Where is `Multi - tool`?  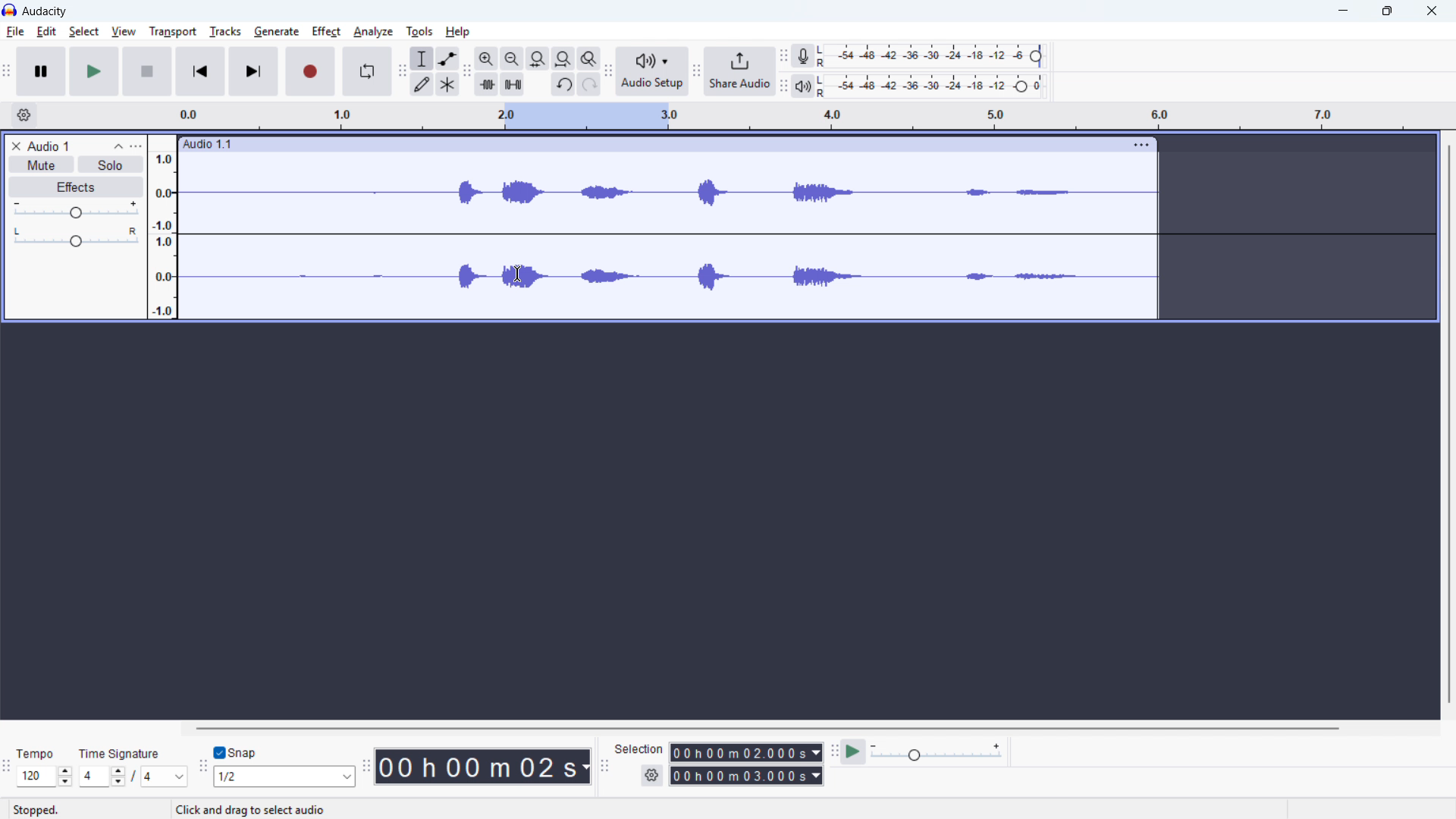
Multi - tool is located at coordinates (447, 84).